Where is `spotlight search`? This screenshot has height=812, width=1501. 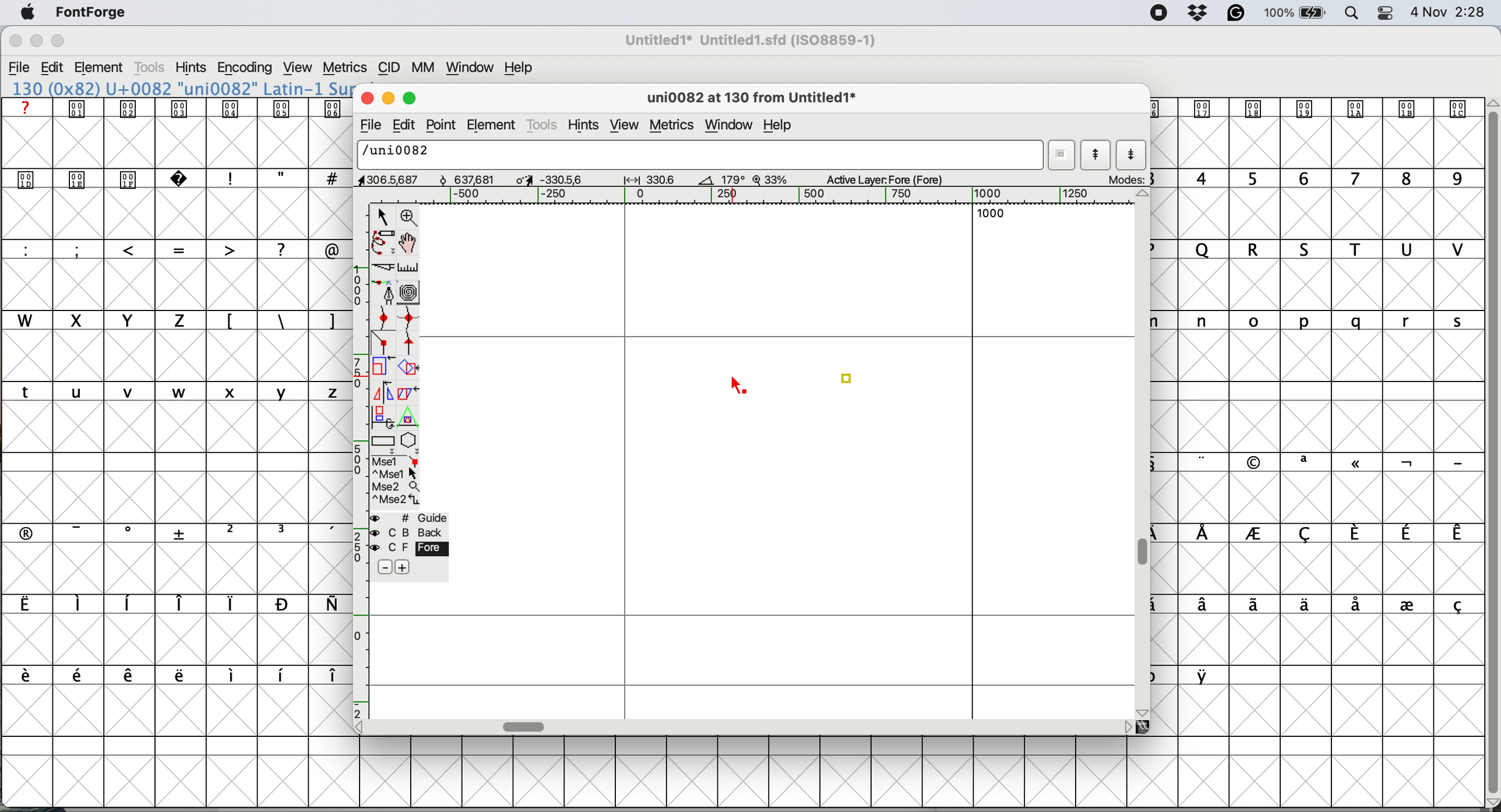
spotlight search is located at coordinates (1349, 15).